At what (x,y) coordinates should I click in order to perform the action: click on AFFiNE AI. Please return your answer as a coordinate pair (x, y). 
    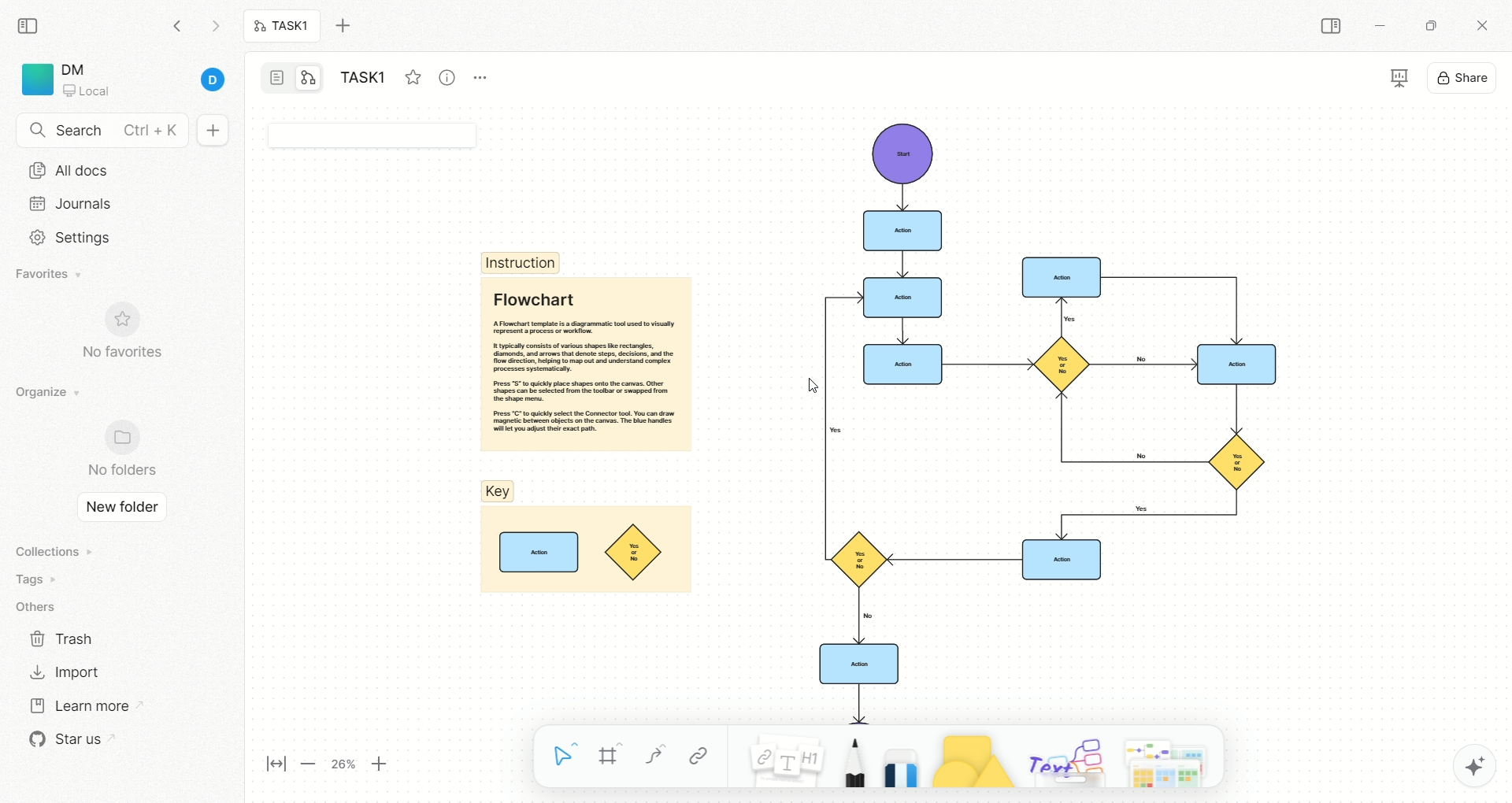
    Looking at the image, I should click on (1458, 762).